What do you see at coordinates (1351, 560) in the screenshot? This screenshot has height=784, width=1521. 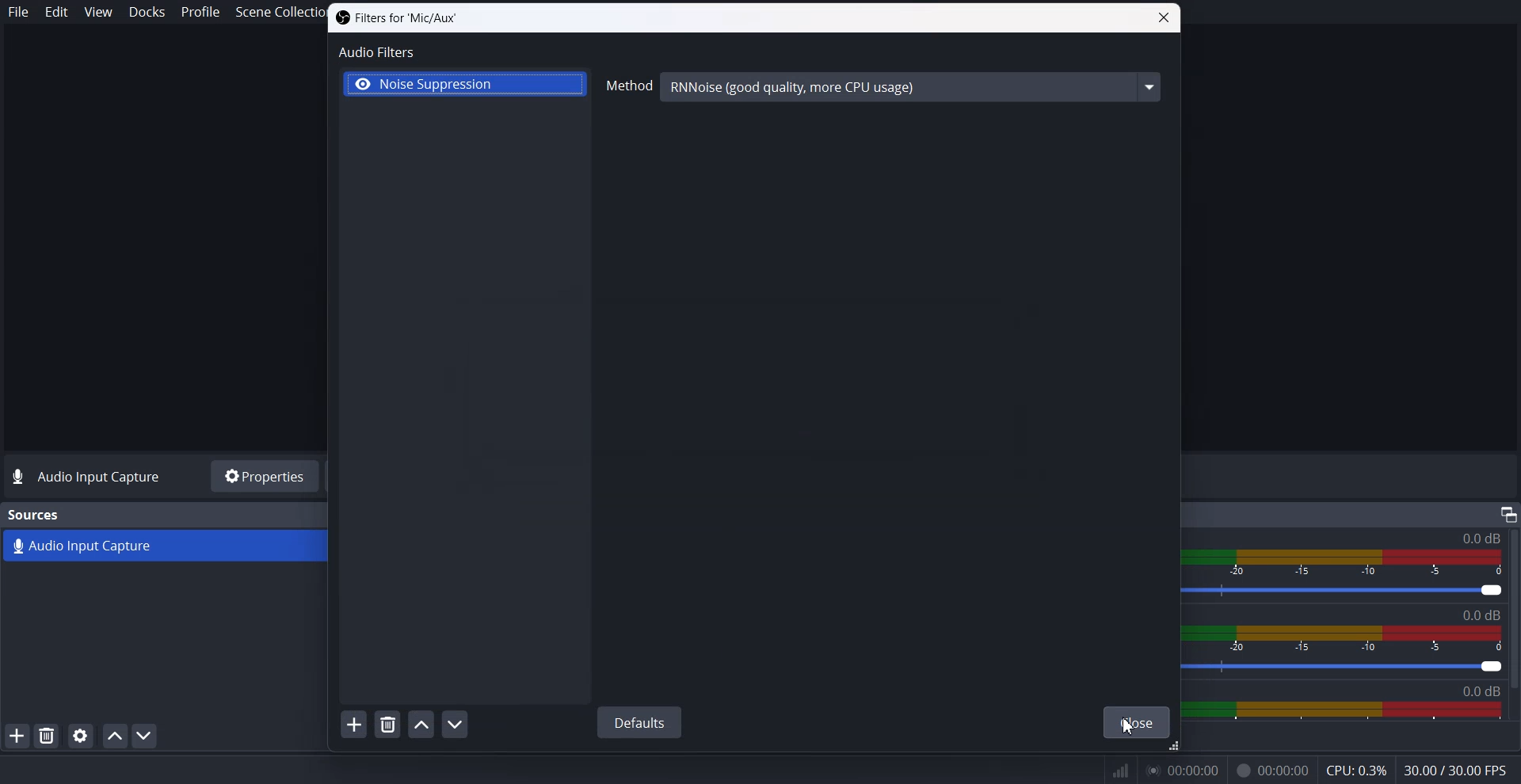 I see `Volume Indicator` at bounding box center [1351, 560].